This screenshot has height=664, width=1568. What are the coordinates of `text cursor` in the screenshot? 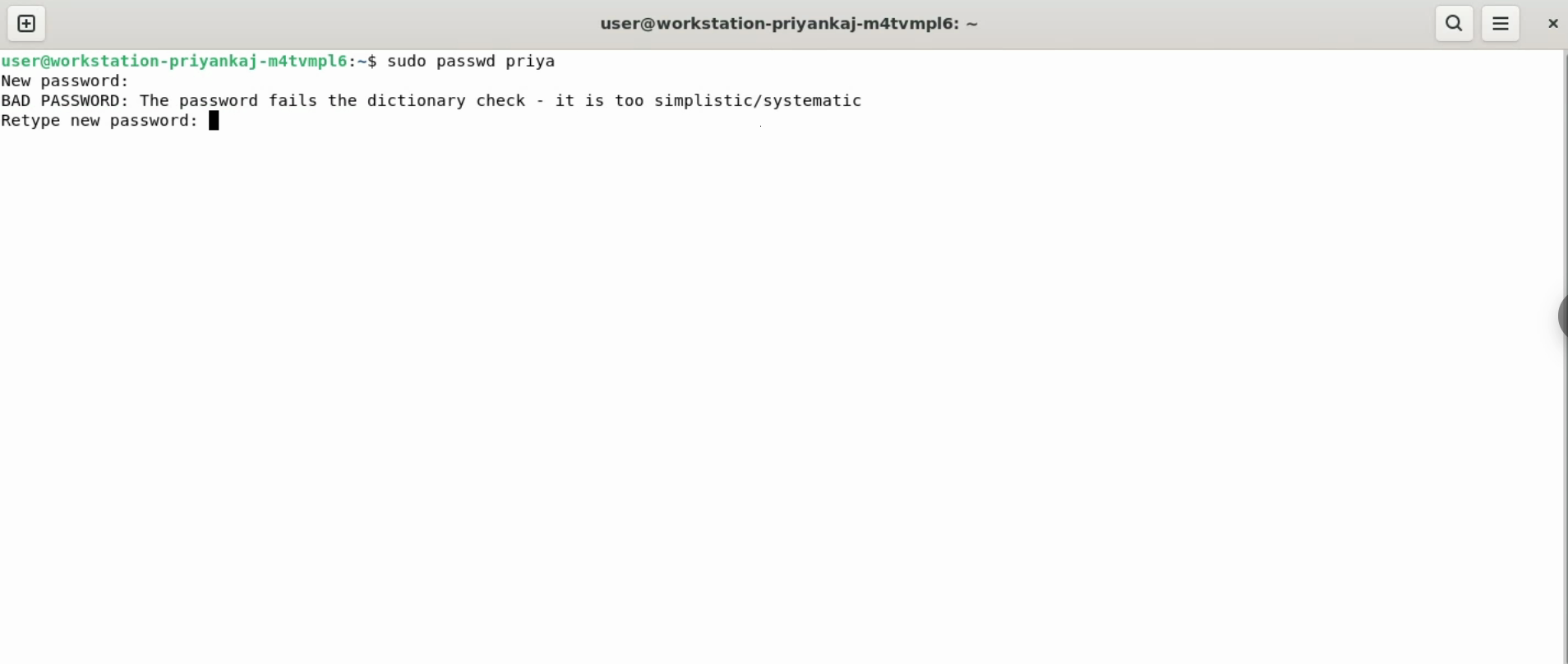 It's located at (219, 123).